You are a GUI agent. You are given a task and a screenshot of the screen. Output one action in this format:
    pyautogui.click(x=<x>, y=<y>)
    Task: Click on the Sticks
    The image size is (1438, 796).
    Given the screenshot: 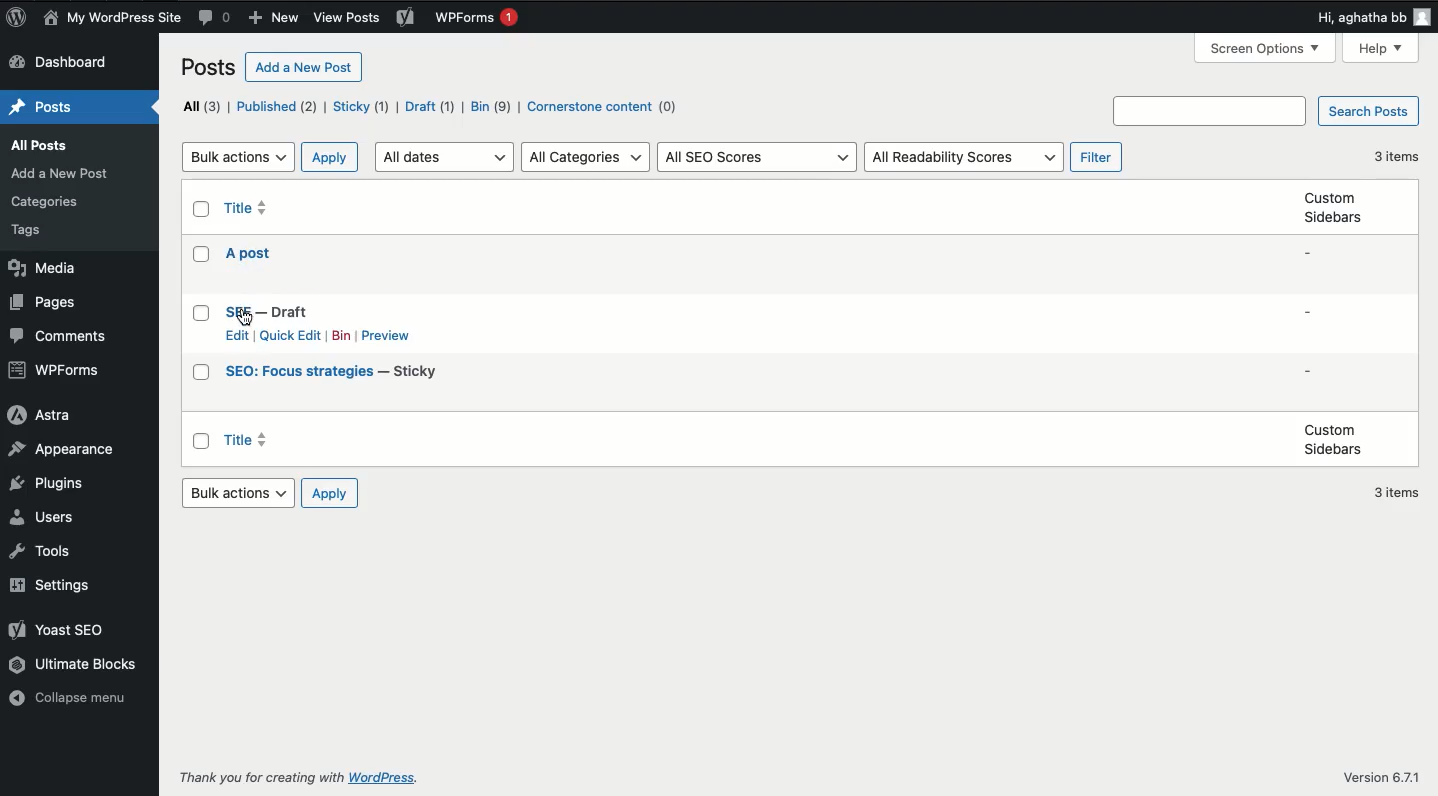 What is the action you would take?
    pyautogui.click(x=361, y=107)
    